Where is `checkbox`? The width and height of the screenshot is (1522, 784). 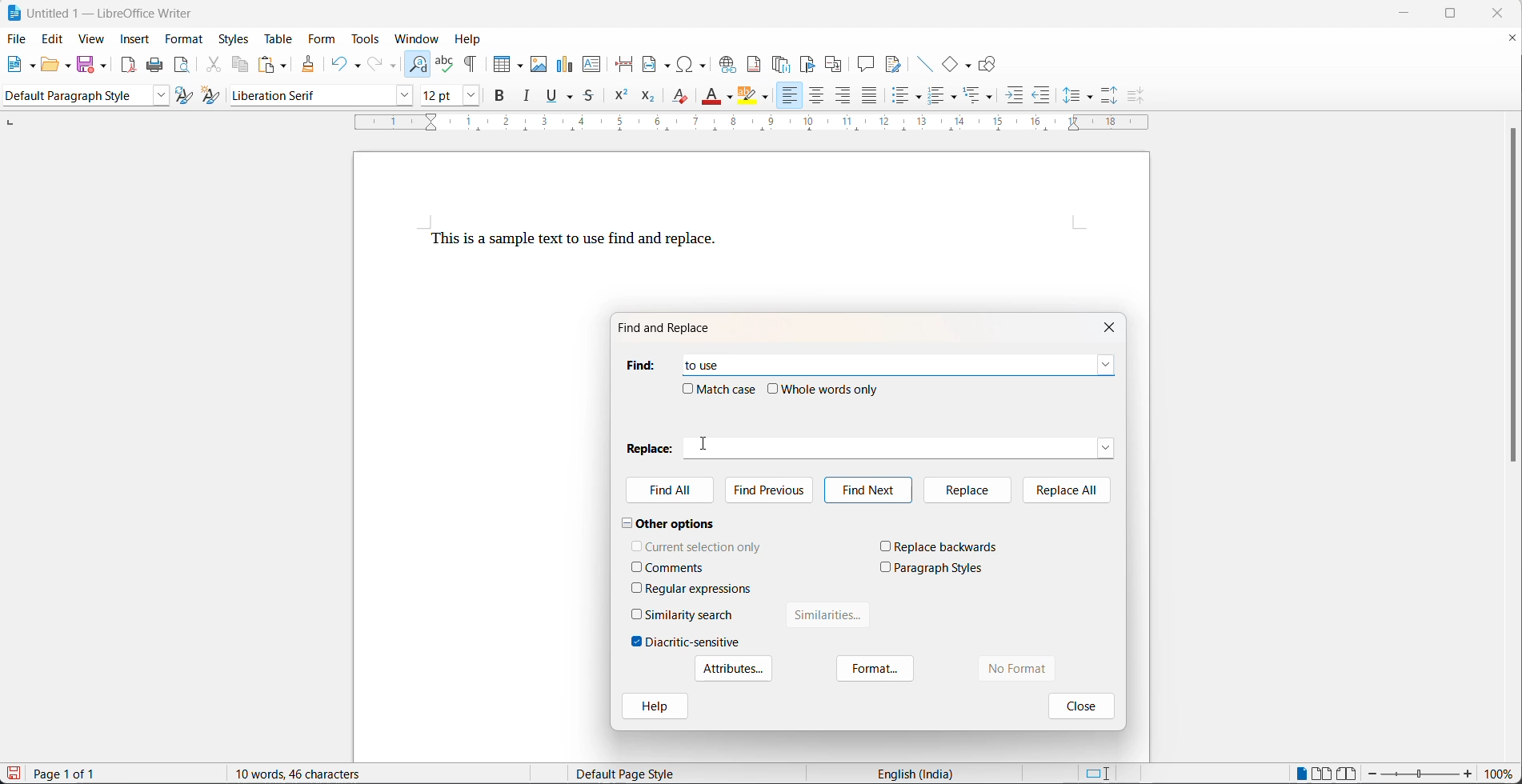
checkbox is located at coordinates (886, 546).